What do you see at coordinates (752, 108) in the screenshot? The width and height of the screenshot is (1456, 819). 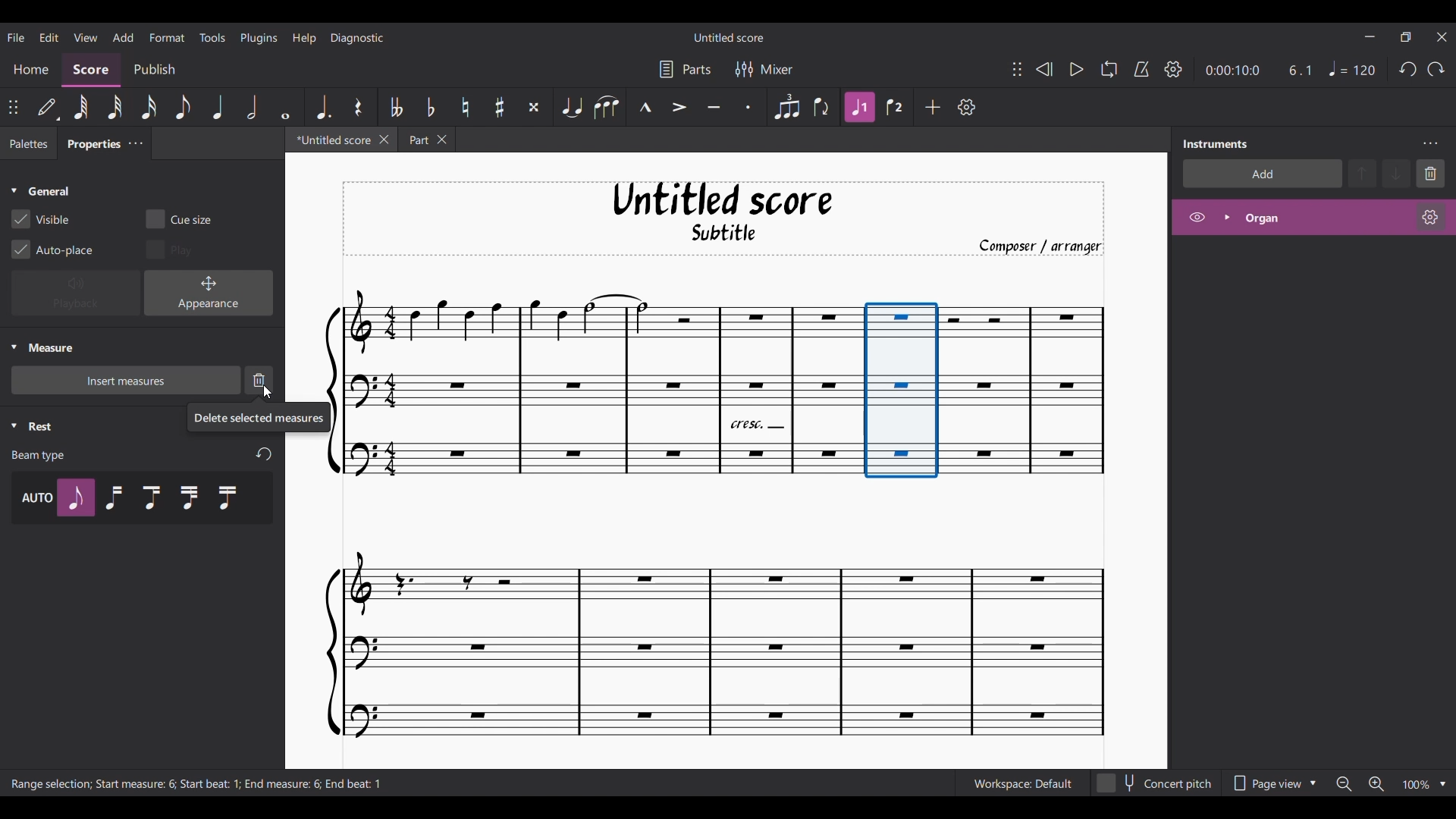 I see `Staccato` at bounding box center [752, 108].